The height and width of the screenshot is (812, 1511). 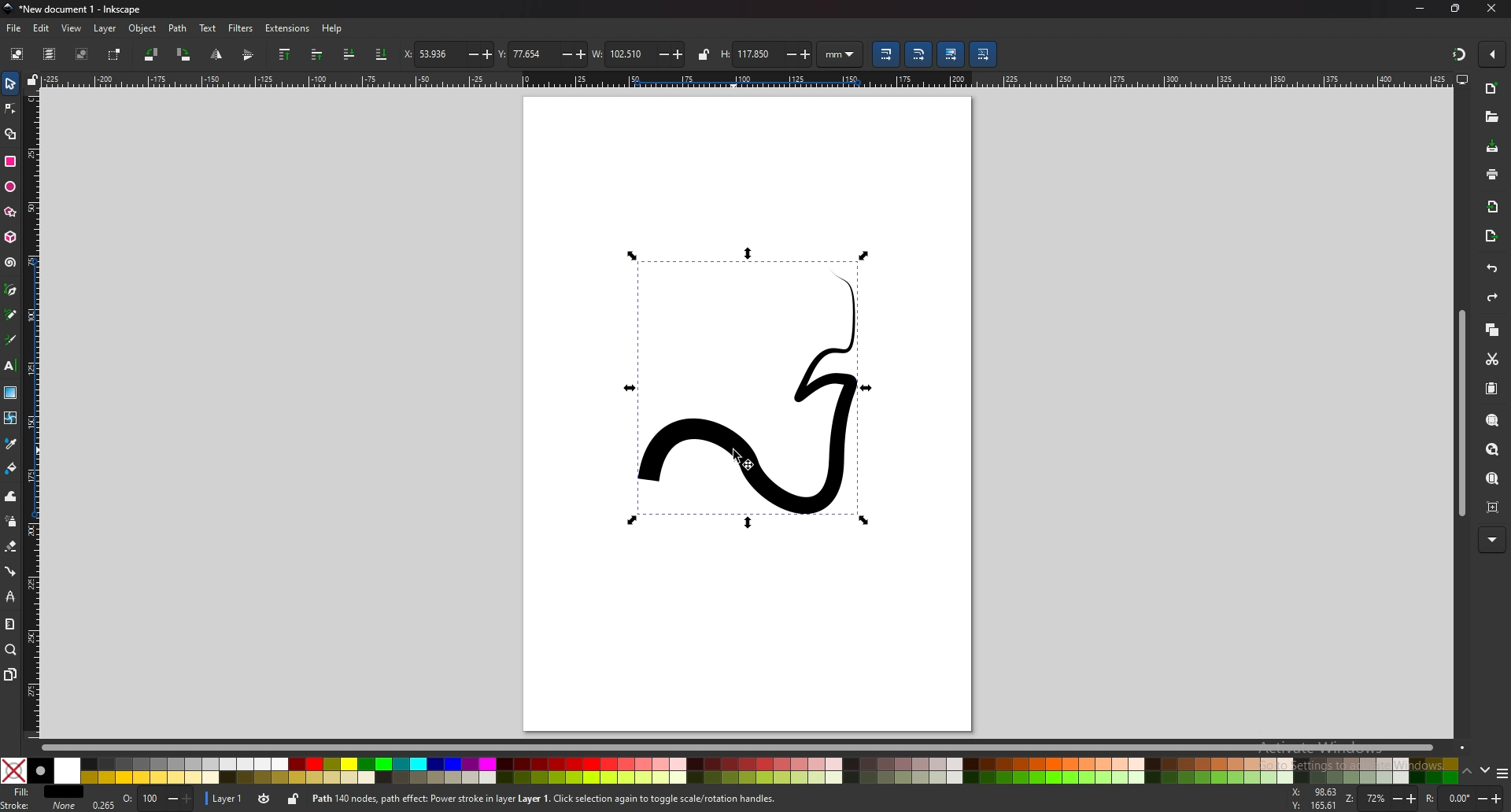 I want to click on eraser, so click(x=10, y=546).